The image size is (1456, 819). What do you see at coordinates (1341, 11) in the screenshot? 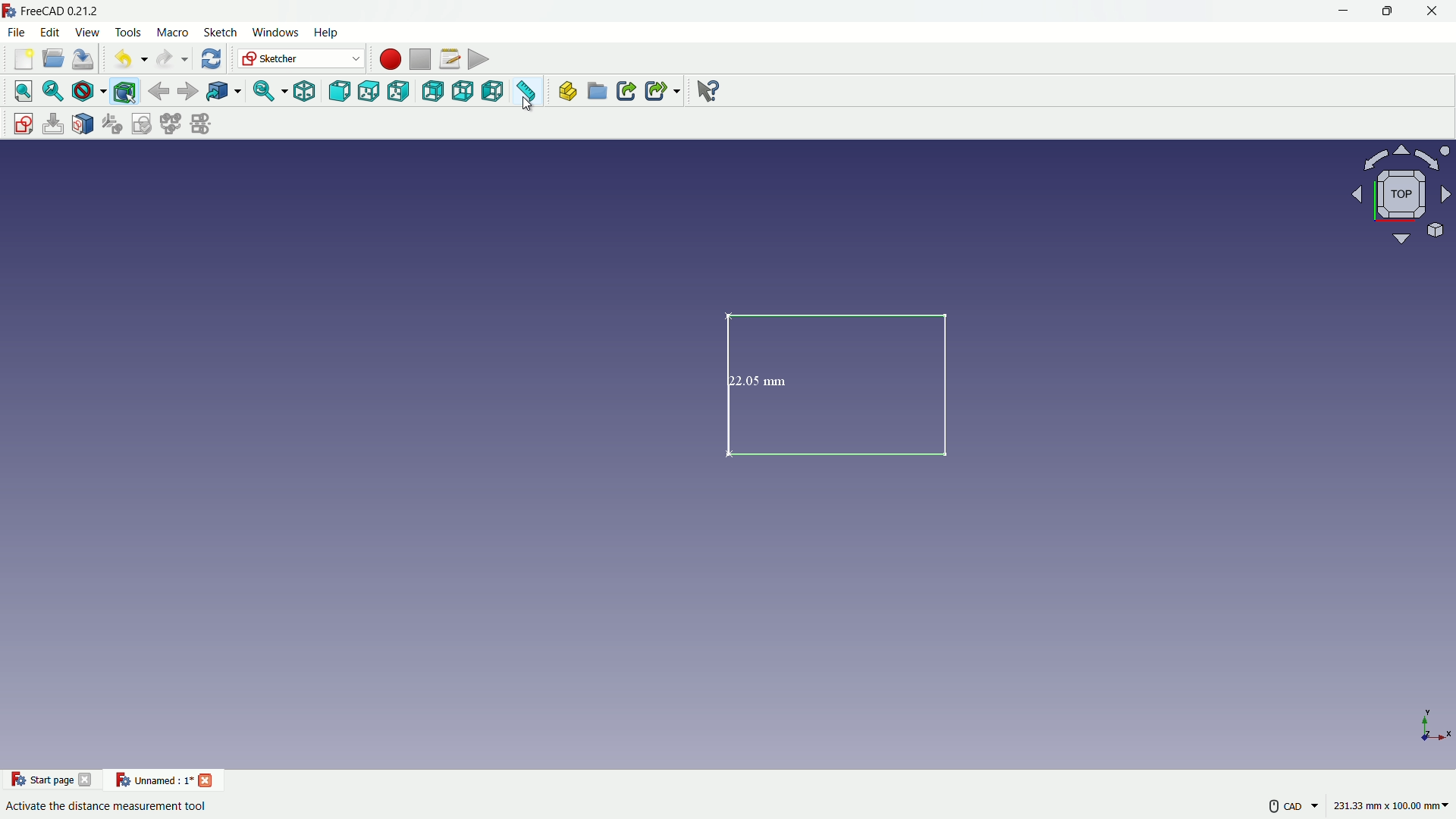
I see `minimize` at bounding box center [1341, 11].